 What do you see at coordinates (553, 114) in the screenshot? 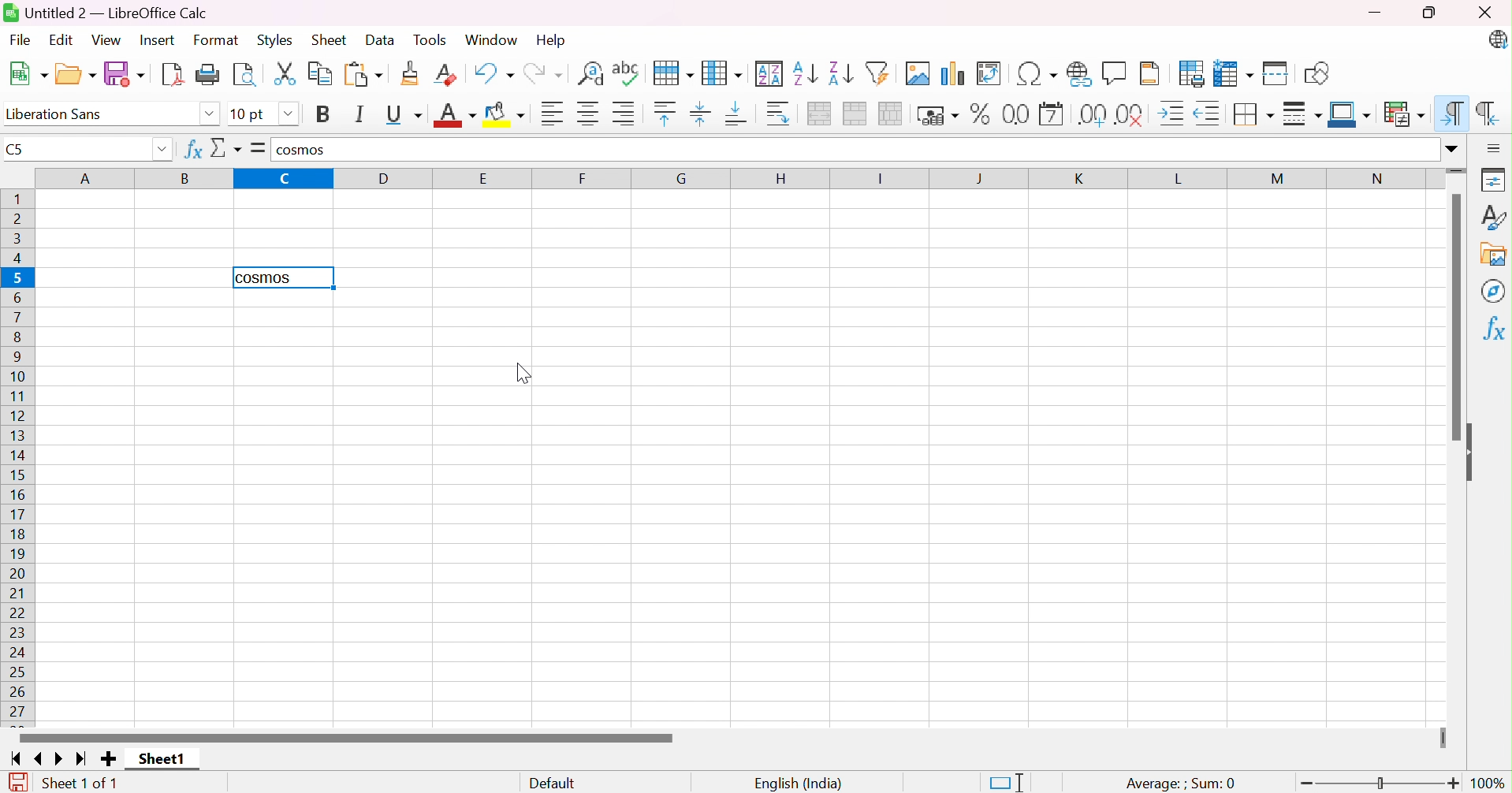
I see `Align Left` at bounding box center [553, 114].